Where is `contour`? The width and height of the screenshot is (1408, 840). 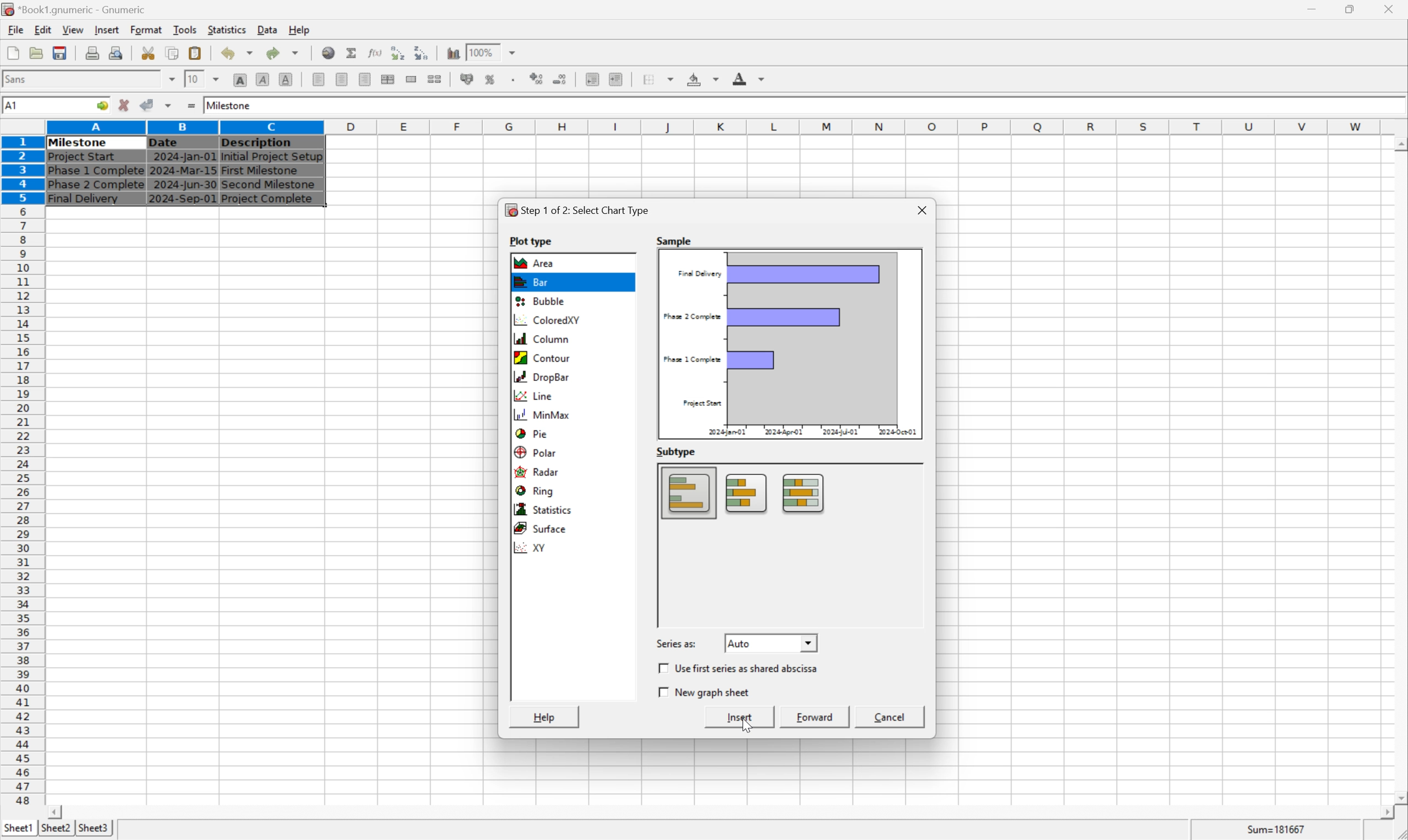 contour is located at coordinates (545, 357).